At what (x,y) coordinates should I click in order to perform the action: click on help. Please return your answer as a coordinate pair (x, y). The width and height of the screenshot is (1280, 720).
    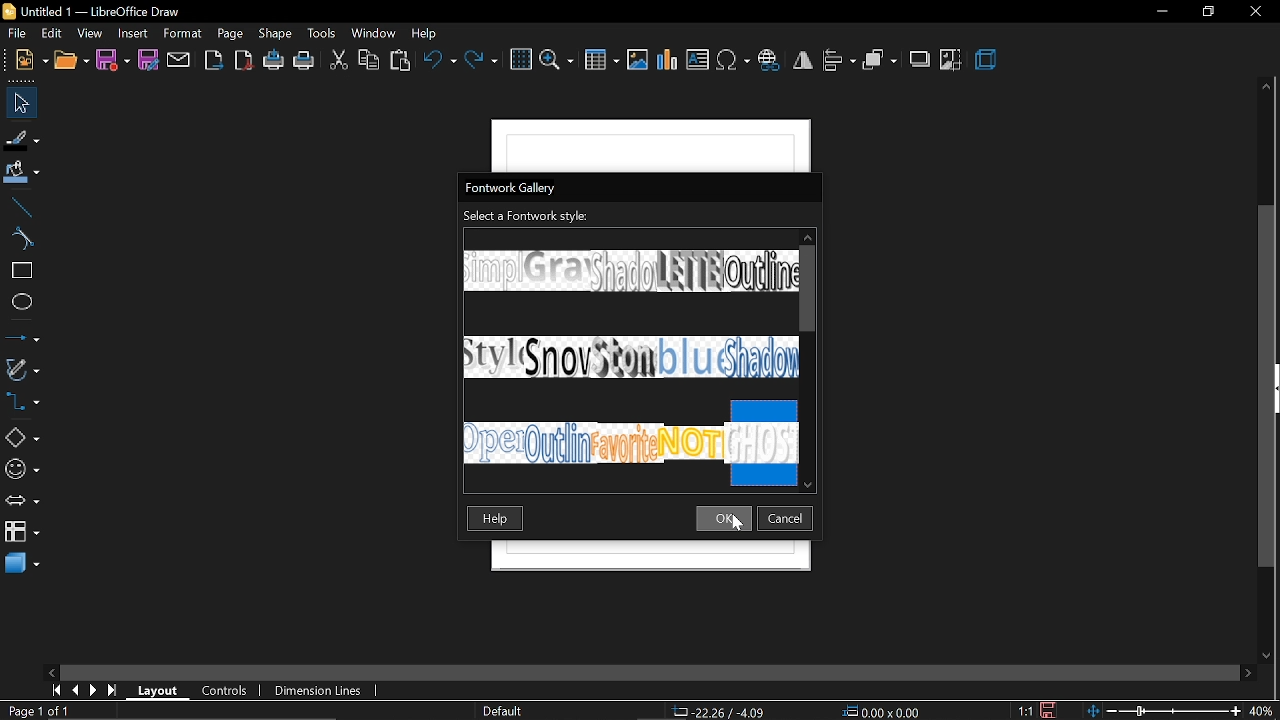
    Looking at the image, I should click on (427, 35).